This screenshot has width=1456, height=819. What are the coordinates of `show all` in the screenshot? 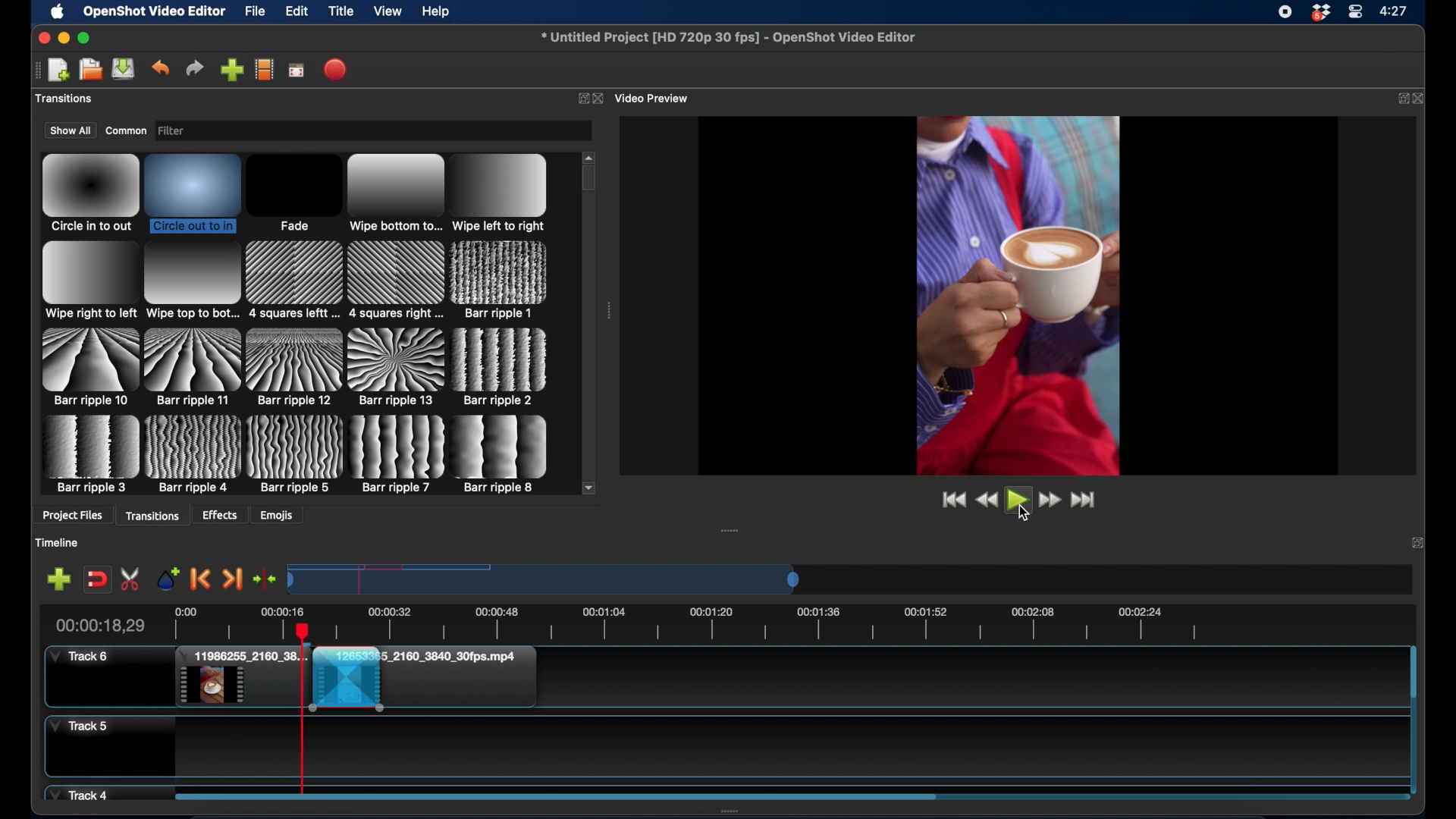 It's located at (70, 130).